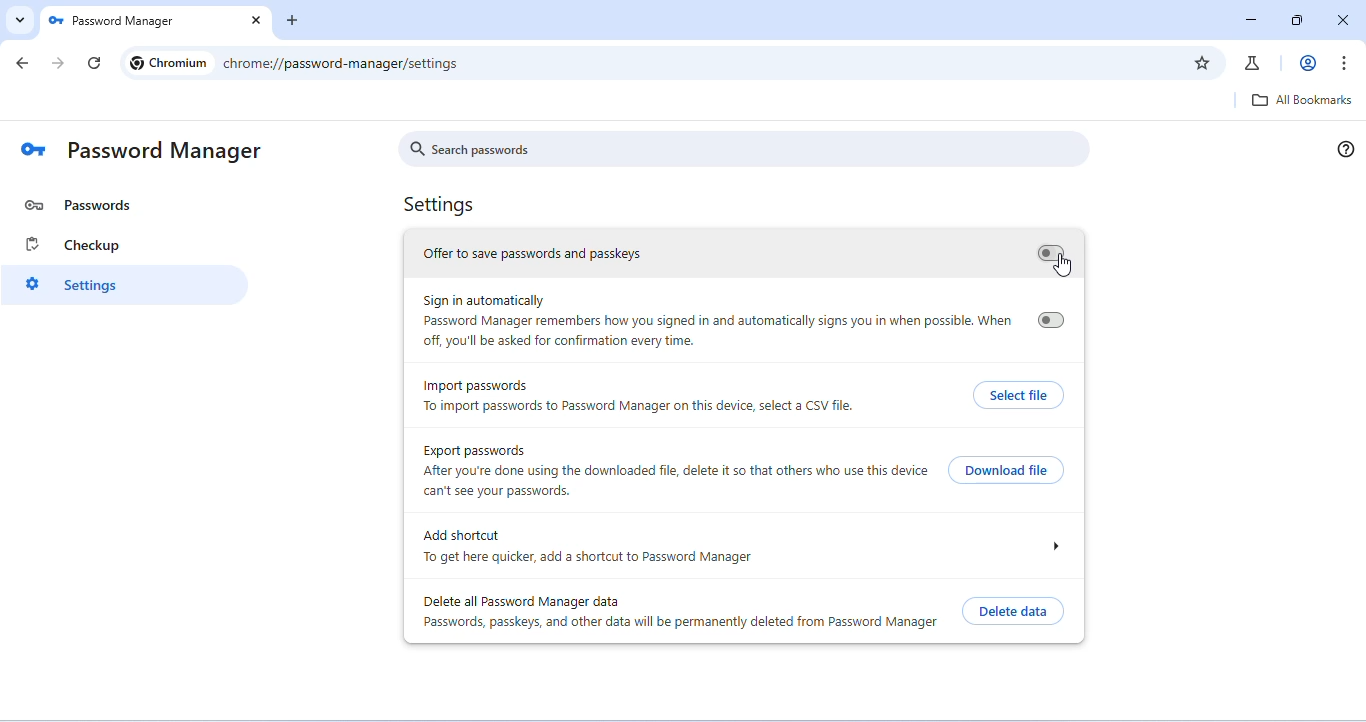  Describe the element at coordinates (1345, 64) in the screenshot. I see `customize and control chromium` at that location.